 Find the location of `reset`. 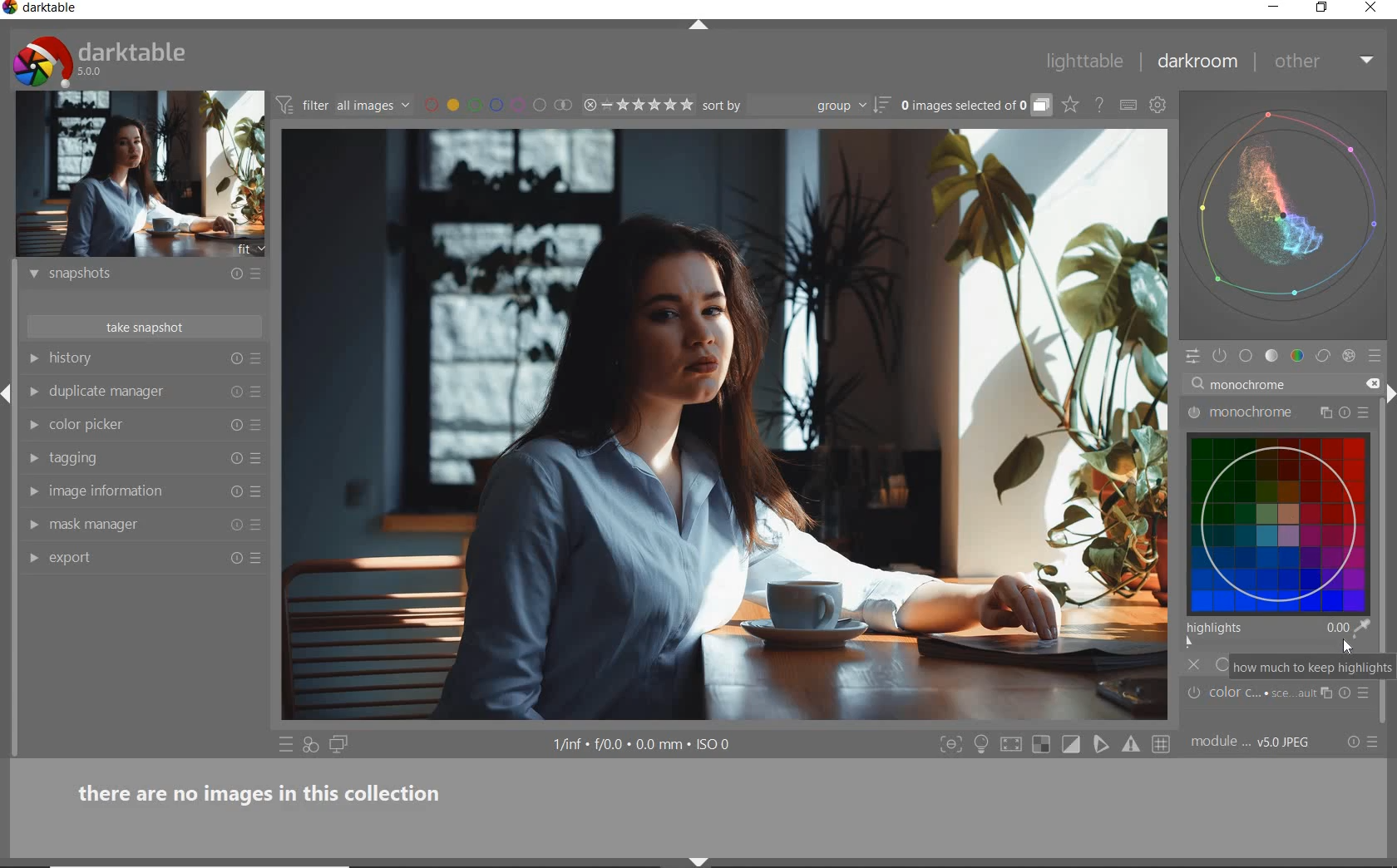

reset is located at coordinates (234, 492).